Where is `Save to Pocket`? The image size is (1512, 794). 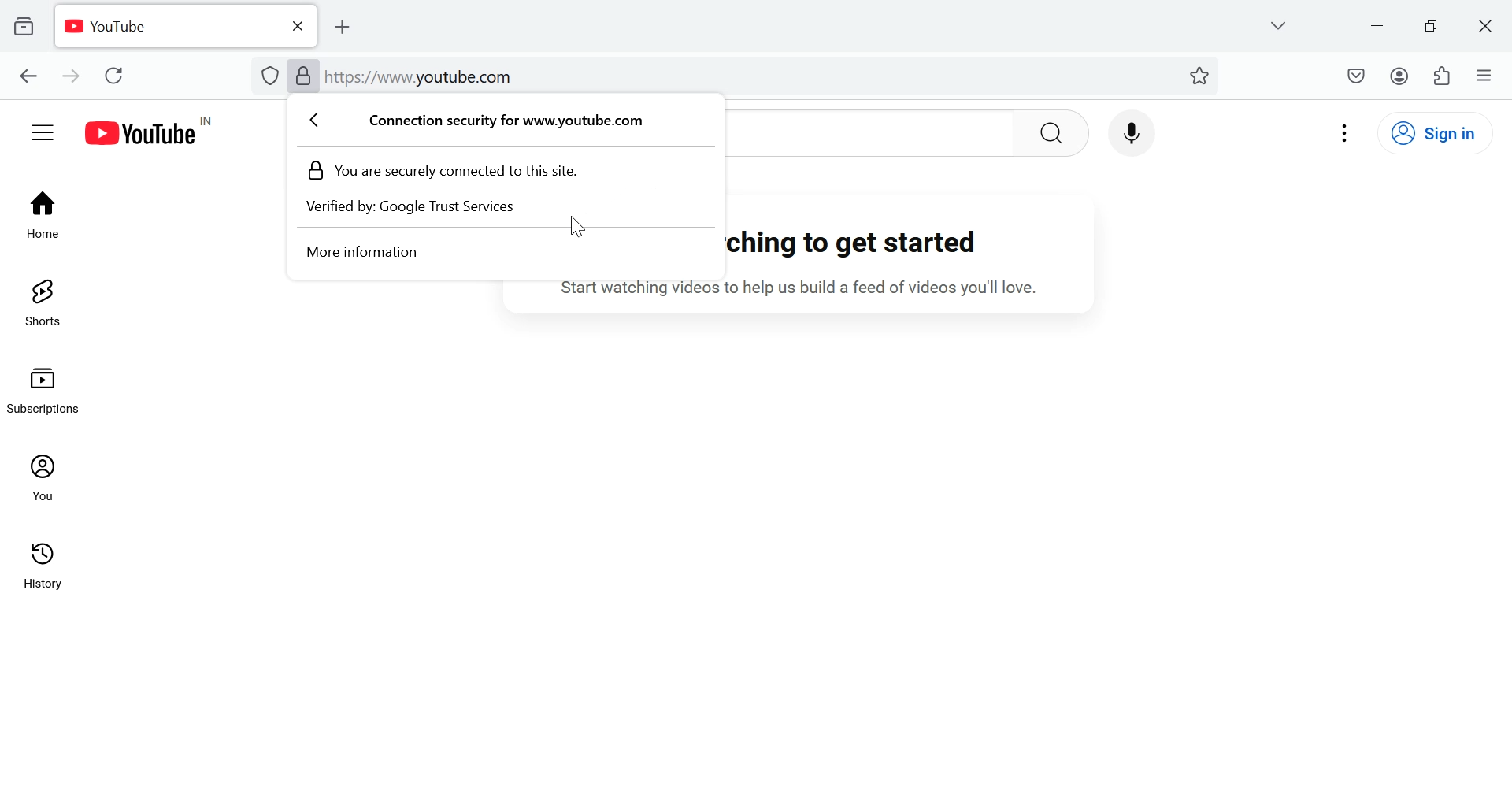 Save to Pocket is located at coordinates (1355, 76).